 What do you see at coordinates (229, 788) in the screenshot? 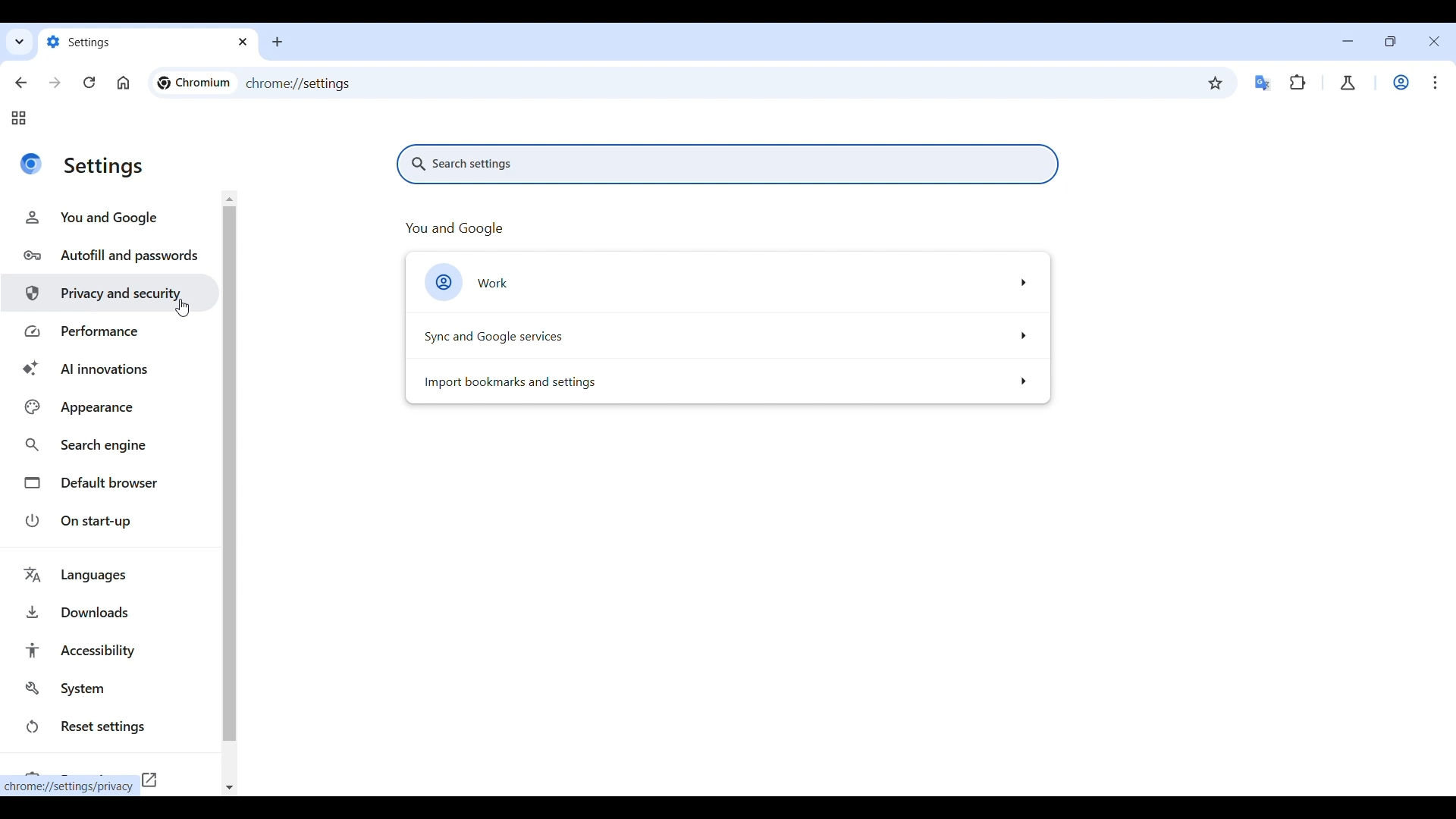
I see `Quick slide to bottom` at bounding box center [229, 788].